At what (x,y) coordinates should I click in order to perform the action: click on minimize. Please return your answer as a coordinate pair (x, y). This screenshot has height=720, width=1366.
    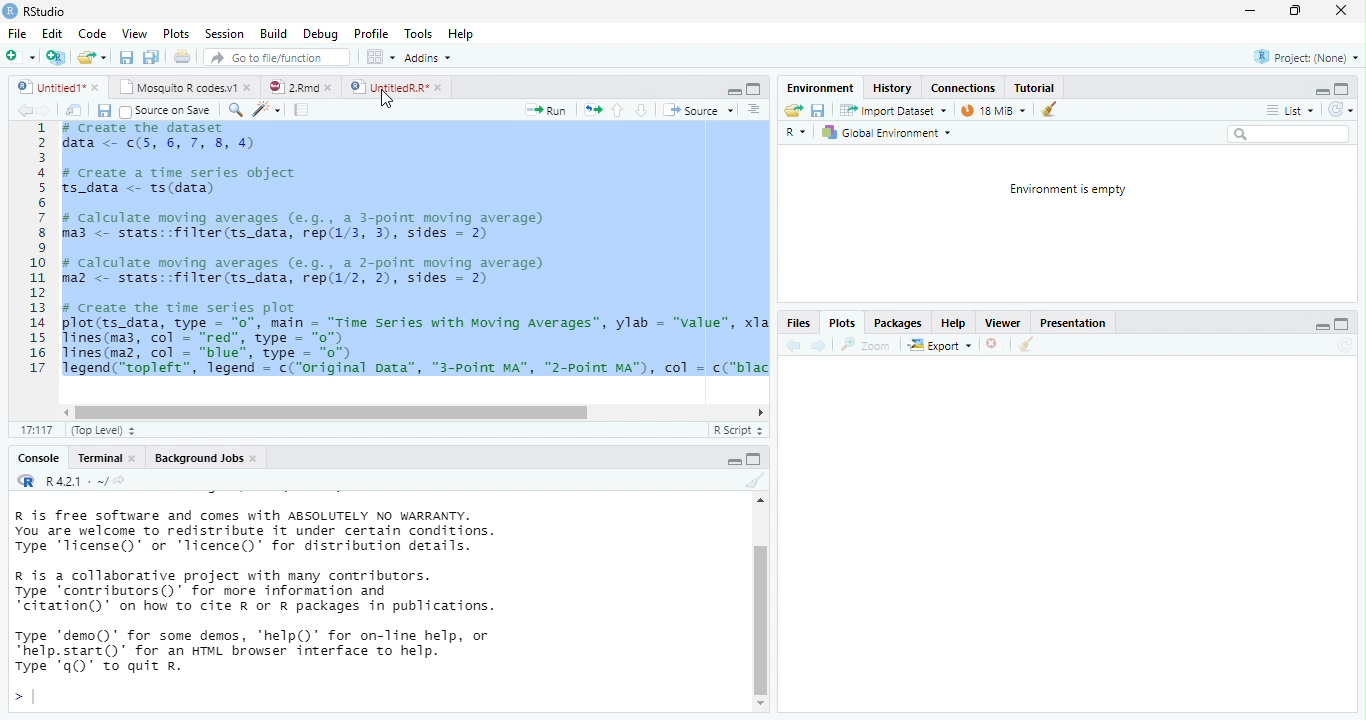
    Looking at the image, I should click on (1249, 12).